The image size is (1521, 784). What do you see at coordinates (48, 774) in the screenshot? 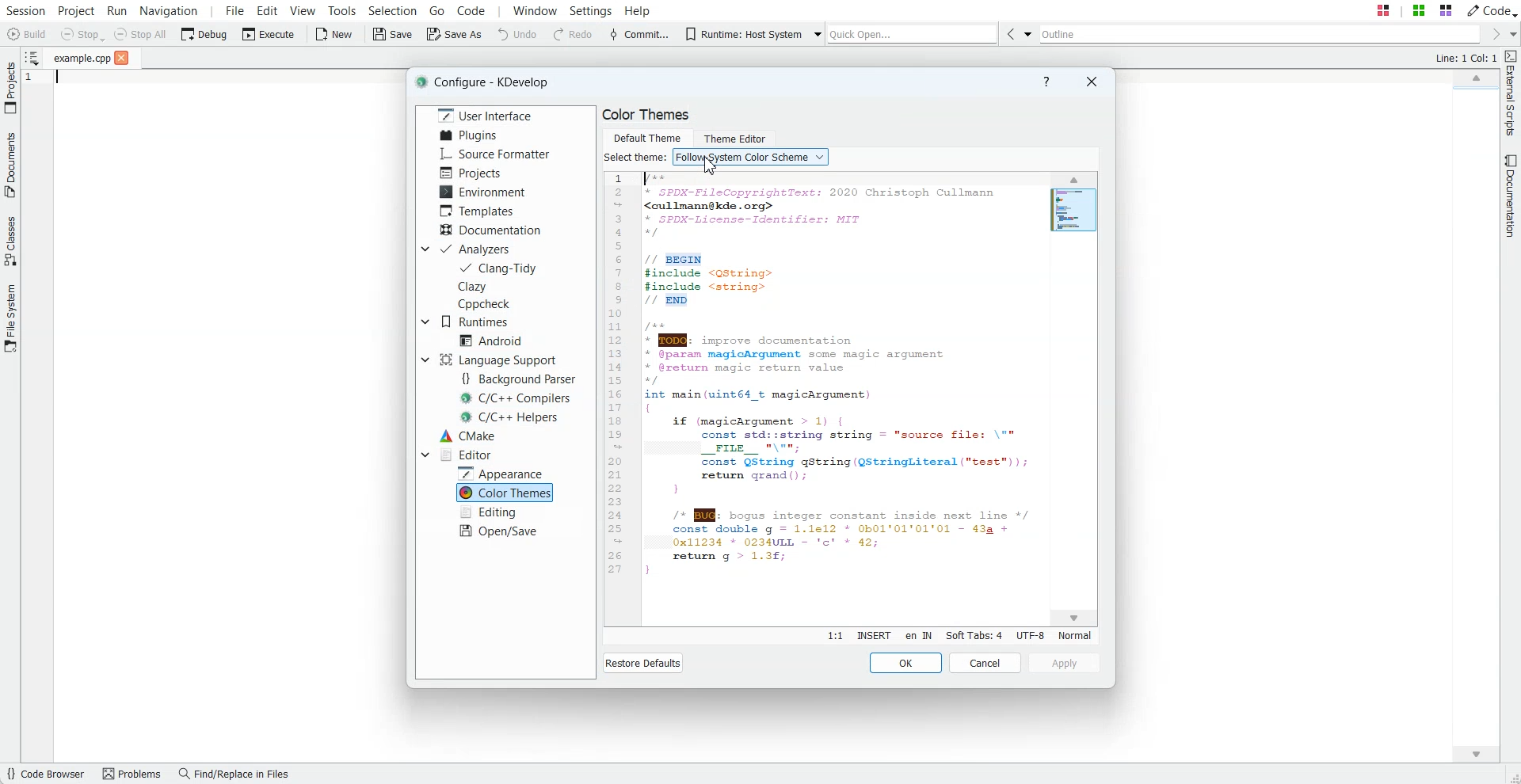
I see `Code Browser` at bounding box center [48, 774].